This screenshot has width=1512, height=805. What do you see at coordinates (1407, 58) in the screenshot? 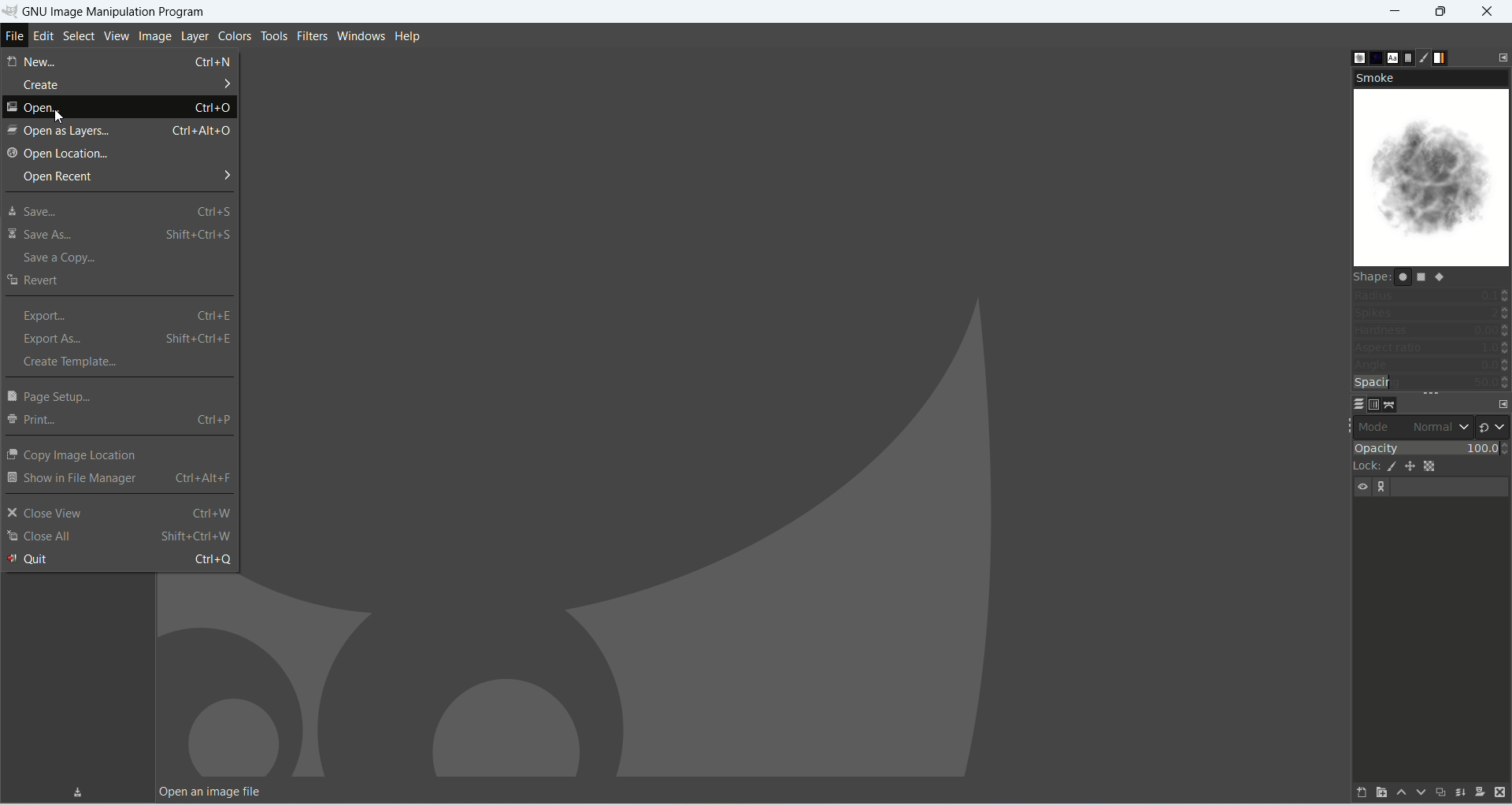
I see `document history` at bounding box center [1407, 58].